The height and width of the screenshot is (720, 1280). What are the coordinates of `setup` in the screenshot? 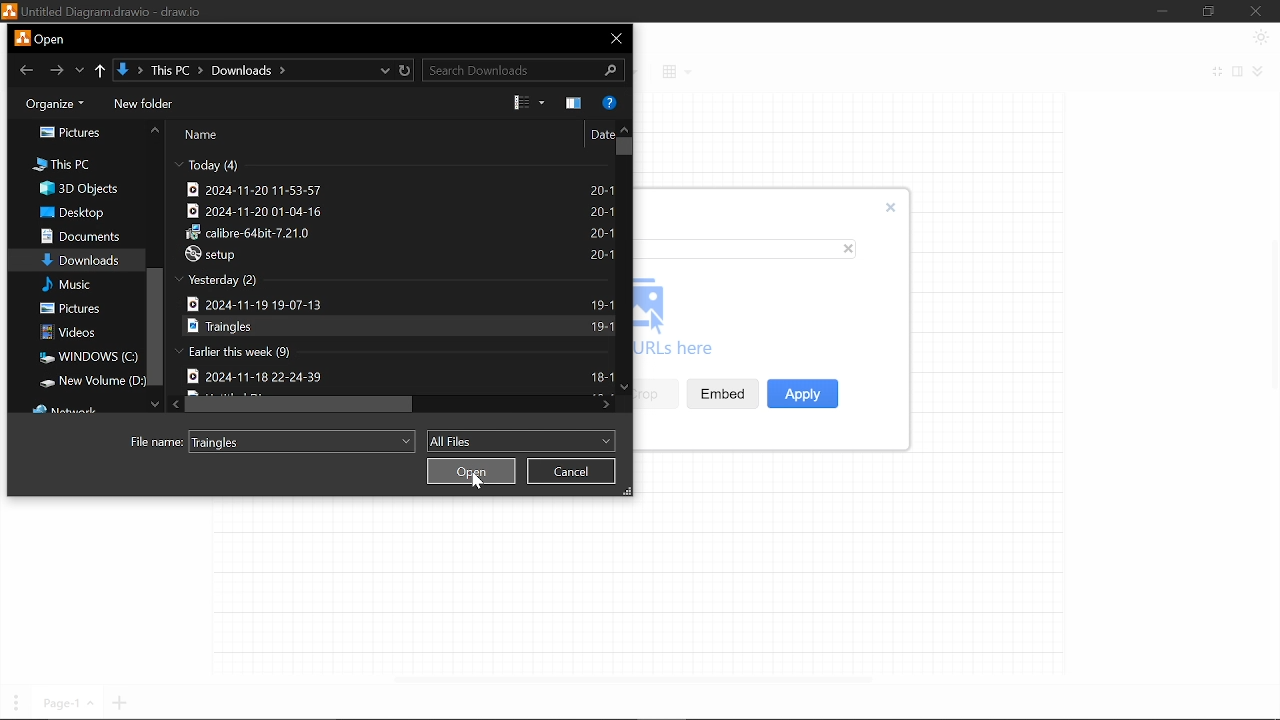 It's located at (219, 254).